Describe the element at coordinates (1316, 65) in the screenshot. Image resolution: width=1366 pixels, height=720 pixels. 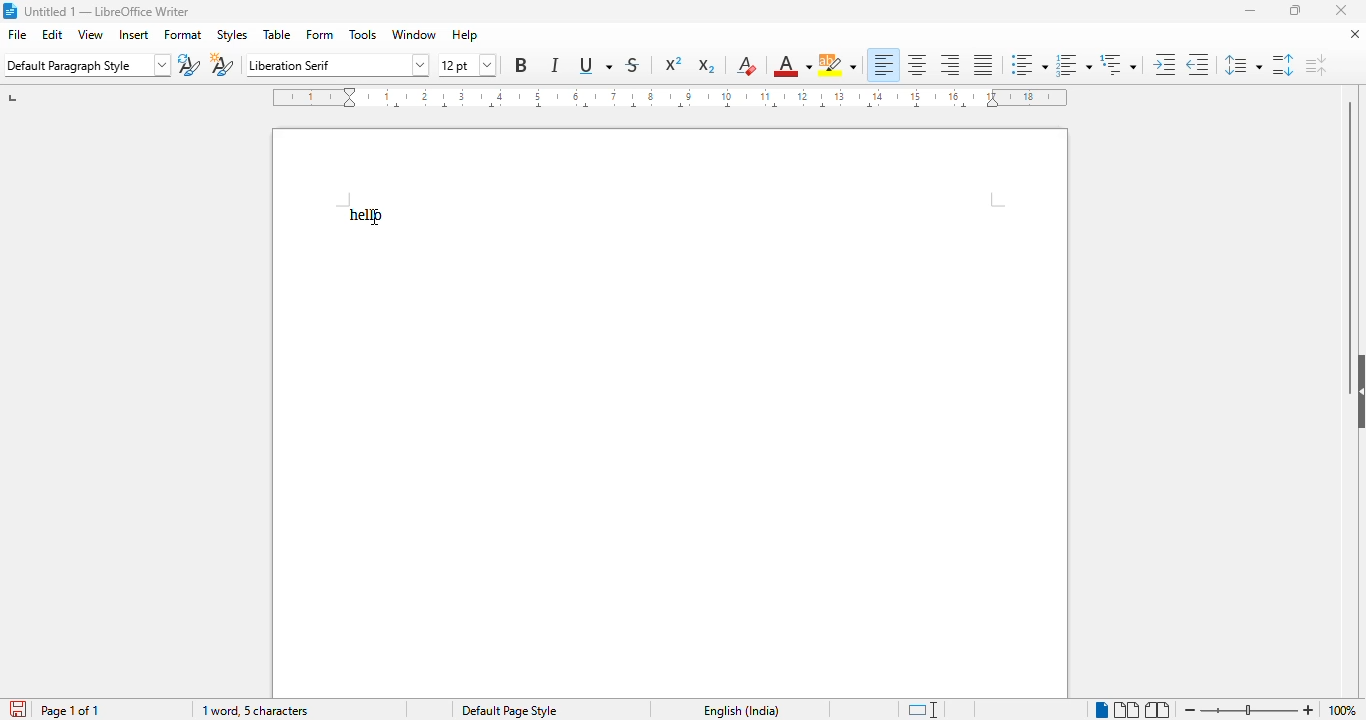
I see `decrease paragraph spacing` at that location.